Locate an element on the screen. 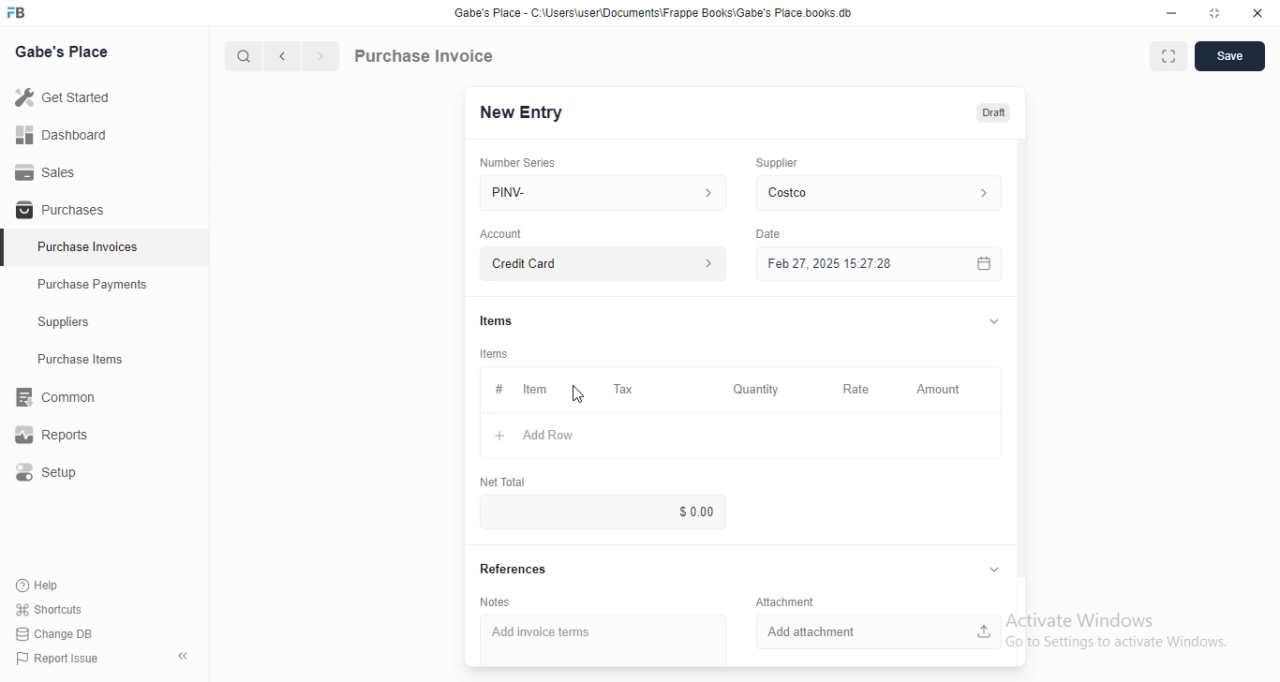  Cursor is located at coordinates (578, 394).